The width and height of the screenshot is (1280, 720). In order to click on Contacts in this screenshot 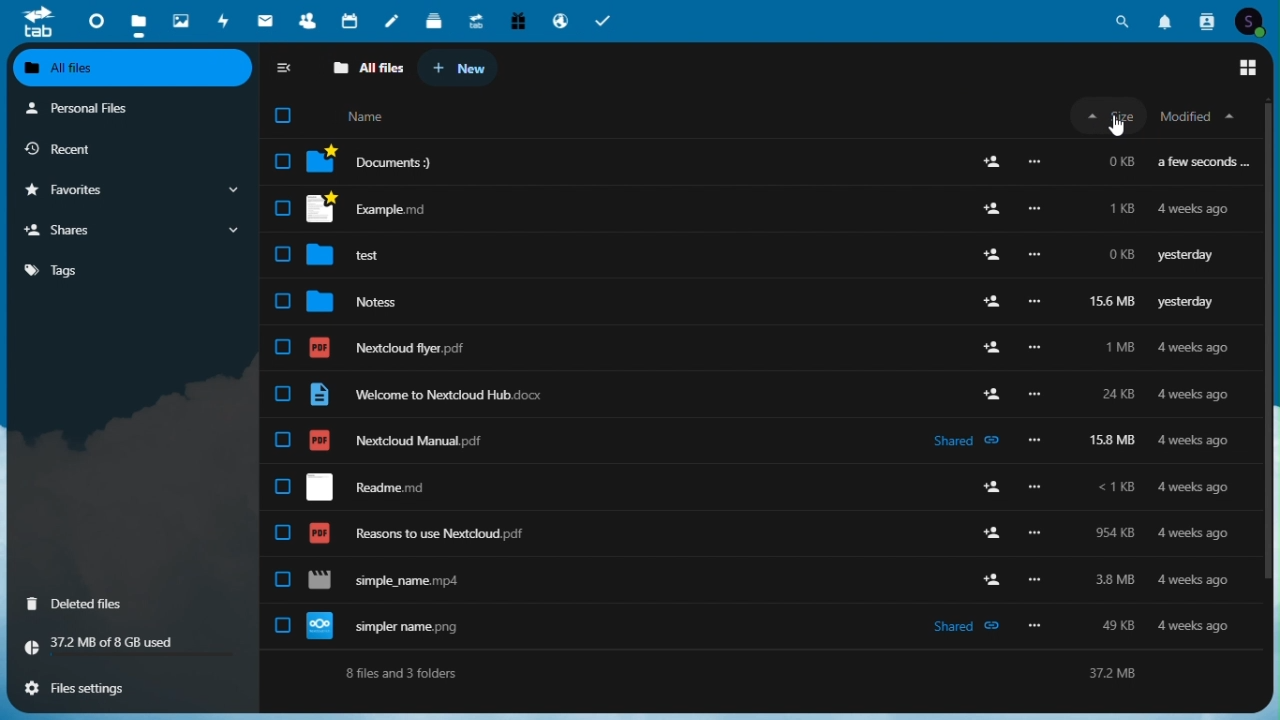, I will do `click(1210, 20)`.